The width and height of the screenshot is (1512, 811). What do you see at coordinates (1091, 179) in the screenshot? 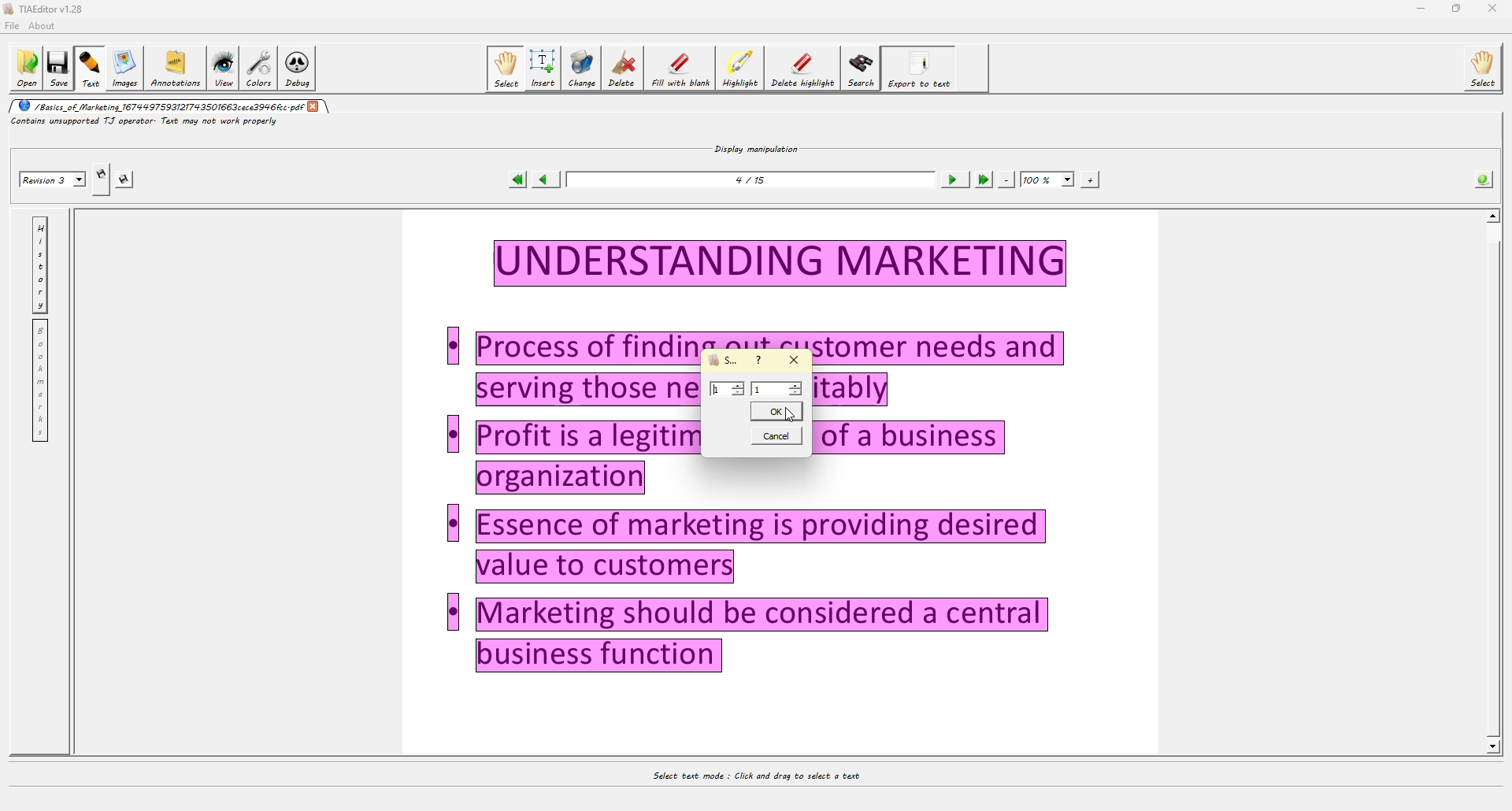
I see `zoom in` at bounding box center [1091, 179].